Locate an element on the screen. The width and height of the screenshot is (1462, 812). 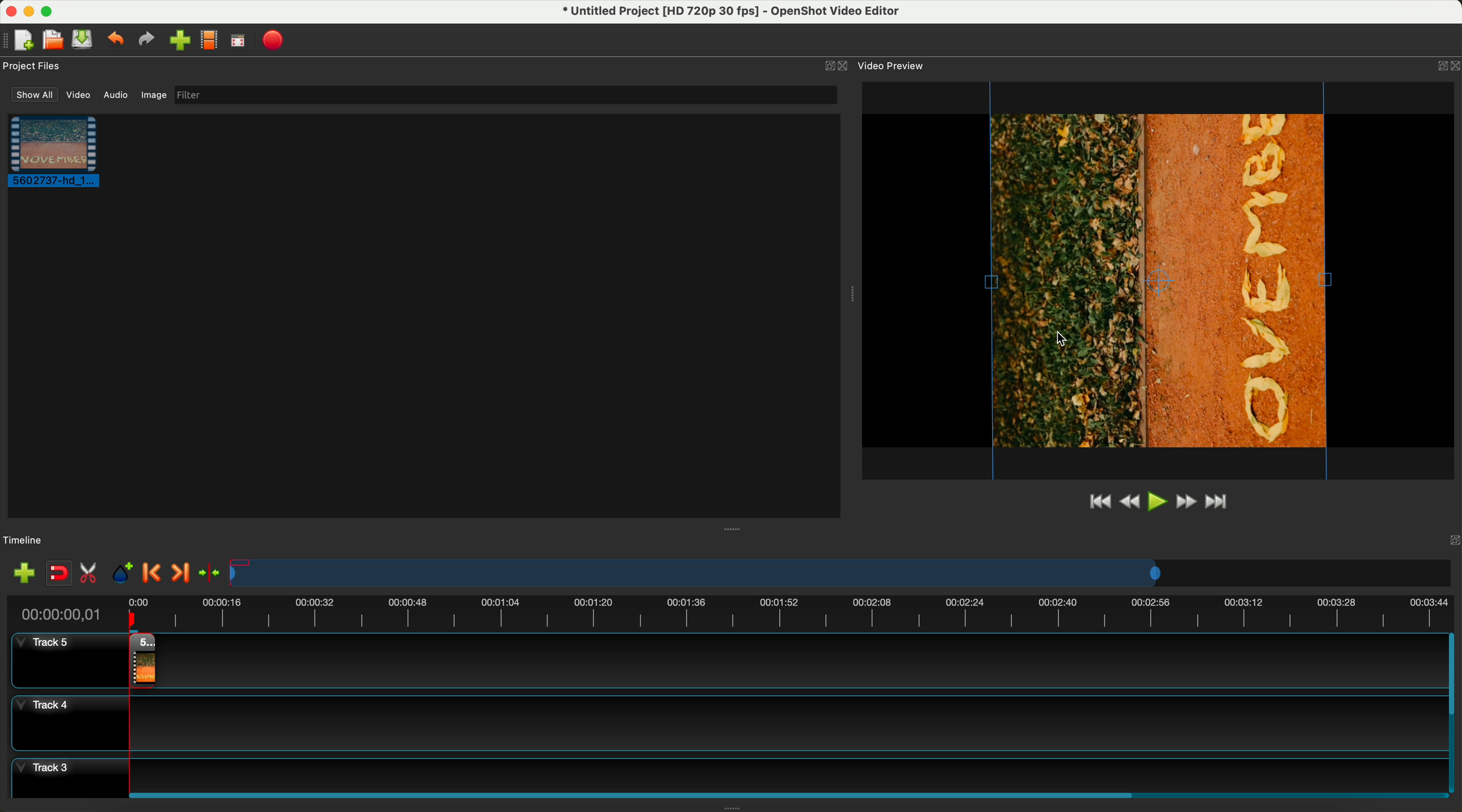
timeline is located at coordinates (24, 541).